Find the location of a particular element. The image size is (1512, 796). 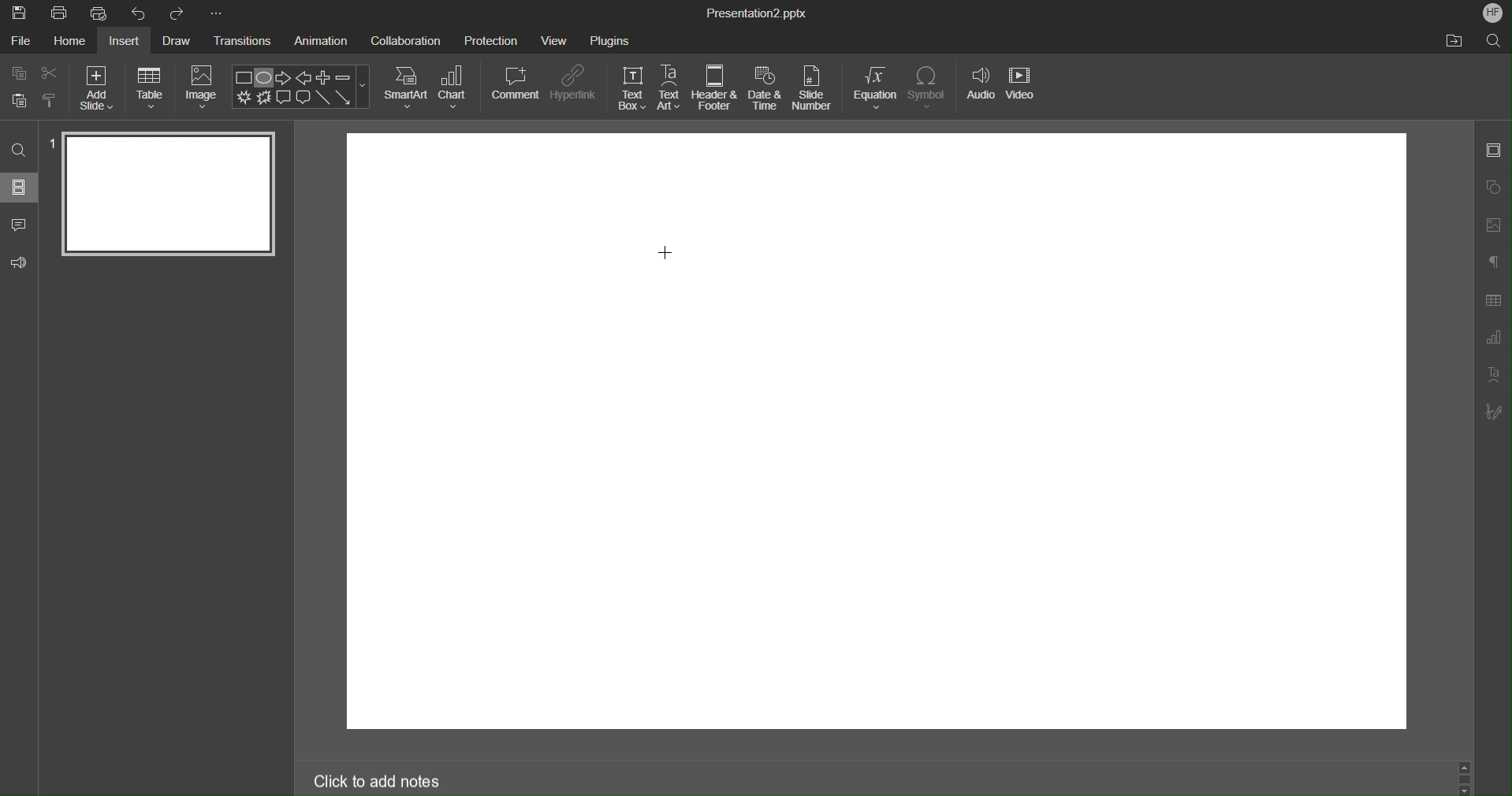

Draw is located at coordinates (180, 41).